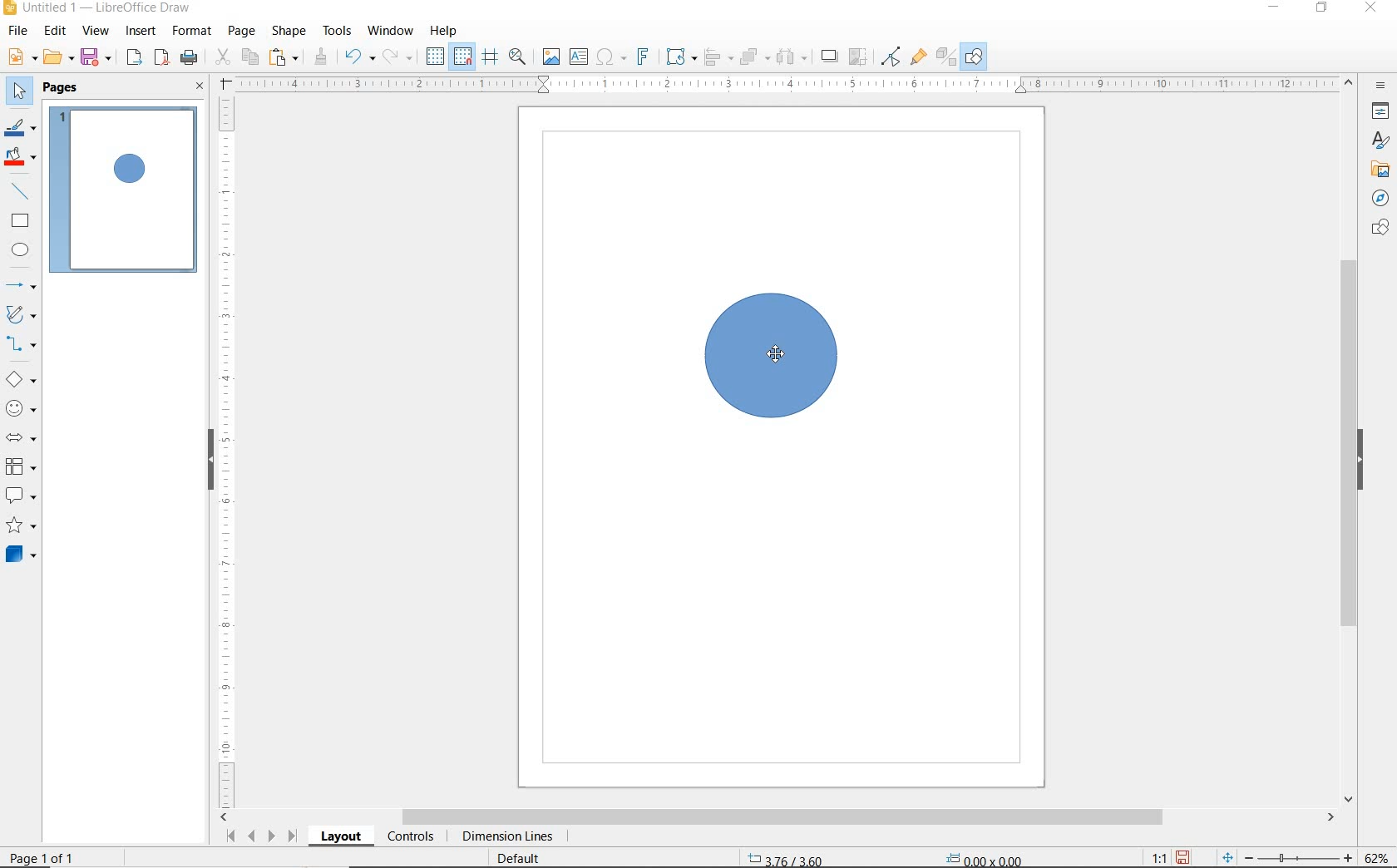 Image resolution: width=1397 pixels, height=868 pixels. Describe the element at coordinates (22, 222) in the screenshot. I see `RECTANGLE` at that location.